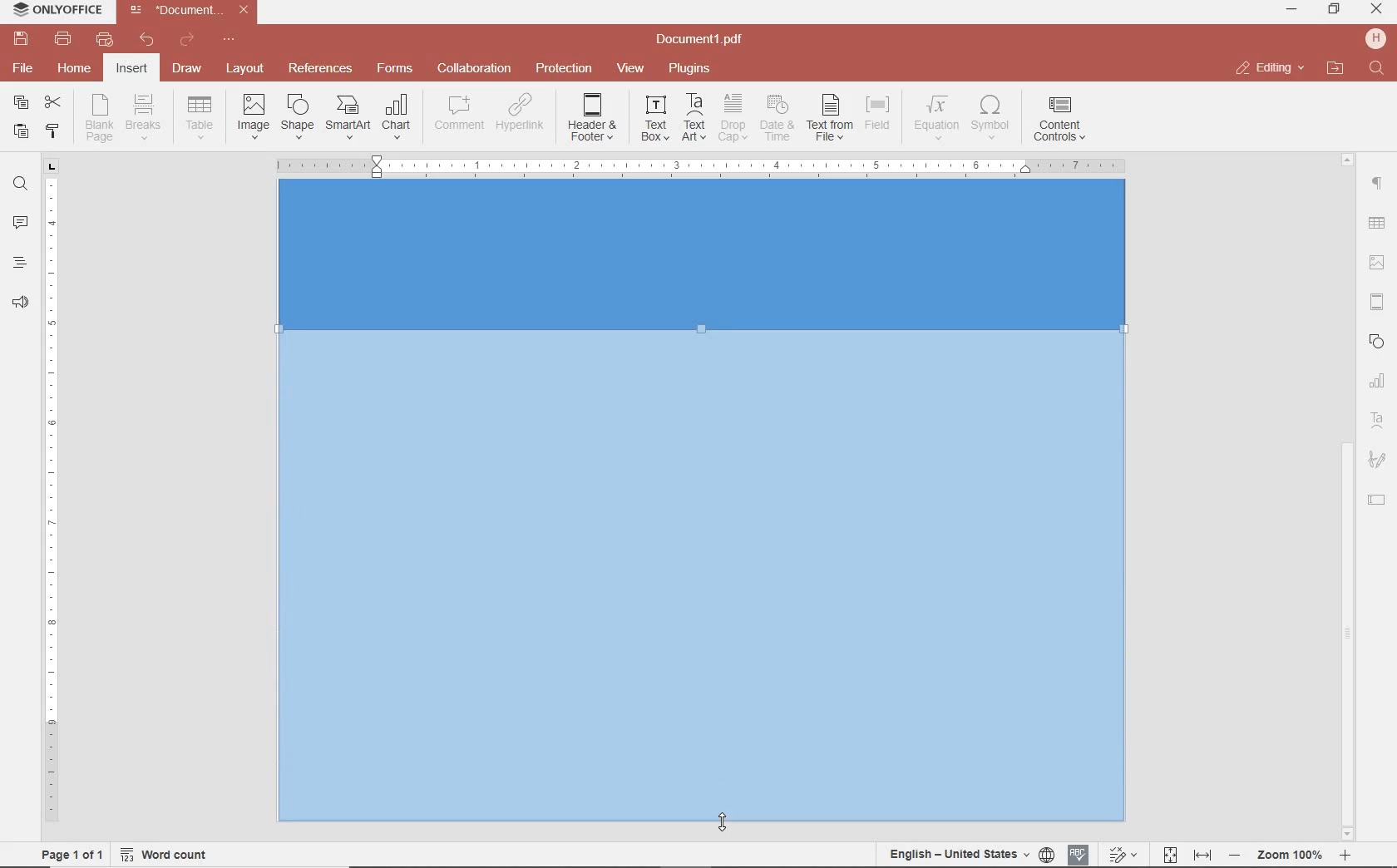 This screenshot has width=1397, height=868. What do you see at coordinates (20, 262) in the screenshot?
I see `heading` at bounding box center [20, 262].